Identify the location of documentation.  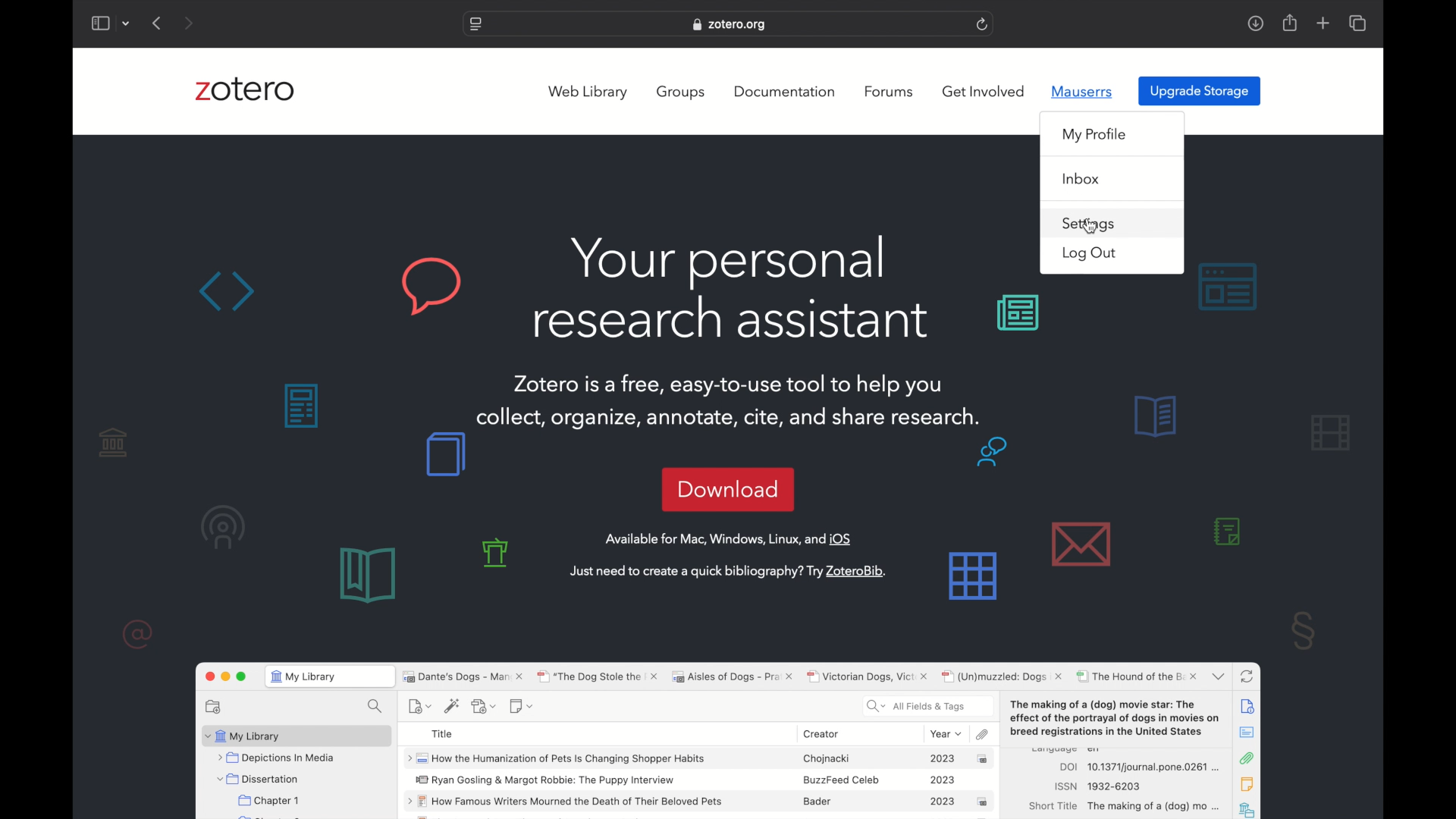
(783, 92).